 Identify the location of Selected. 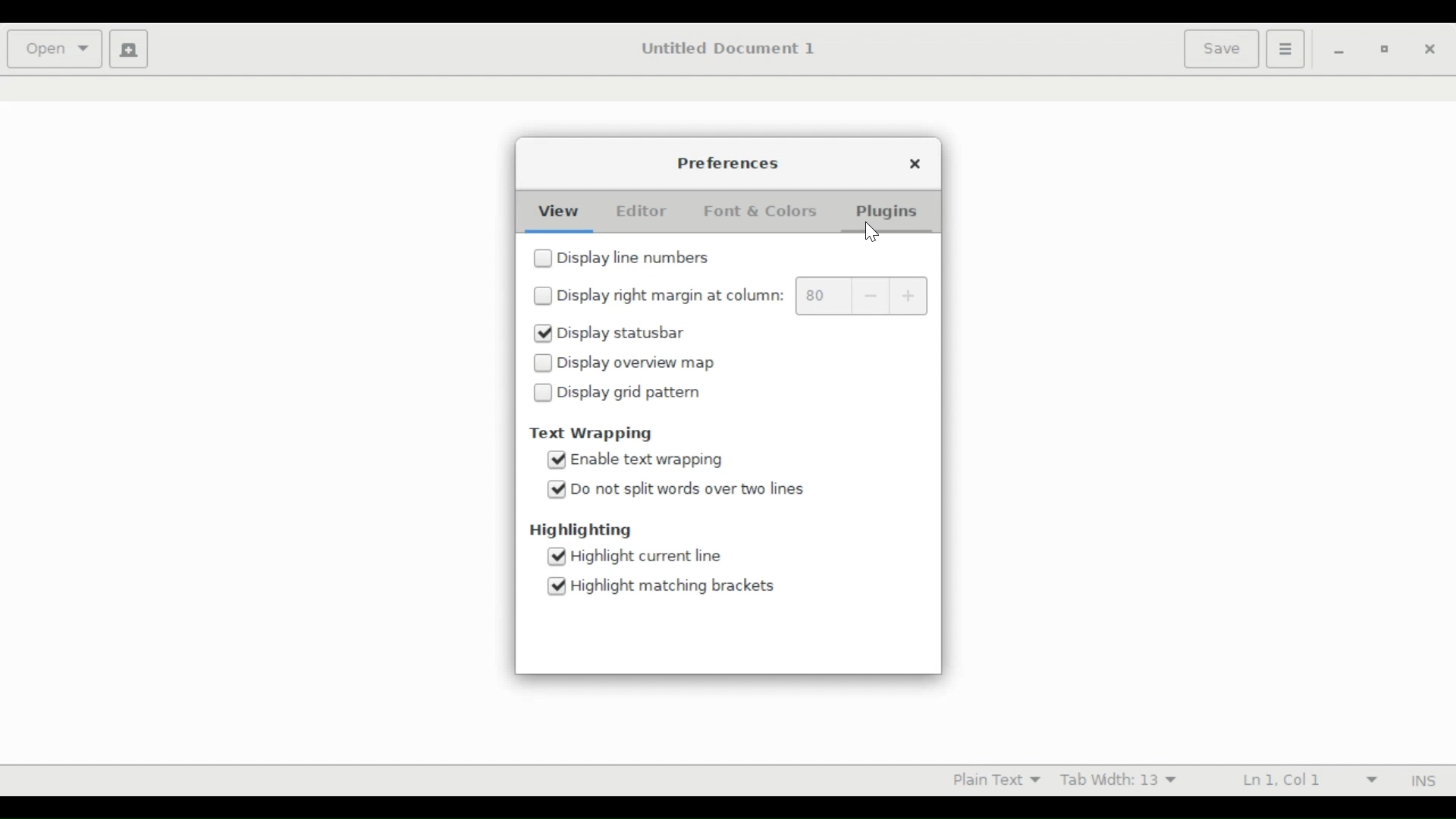
(542, 334).